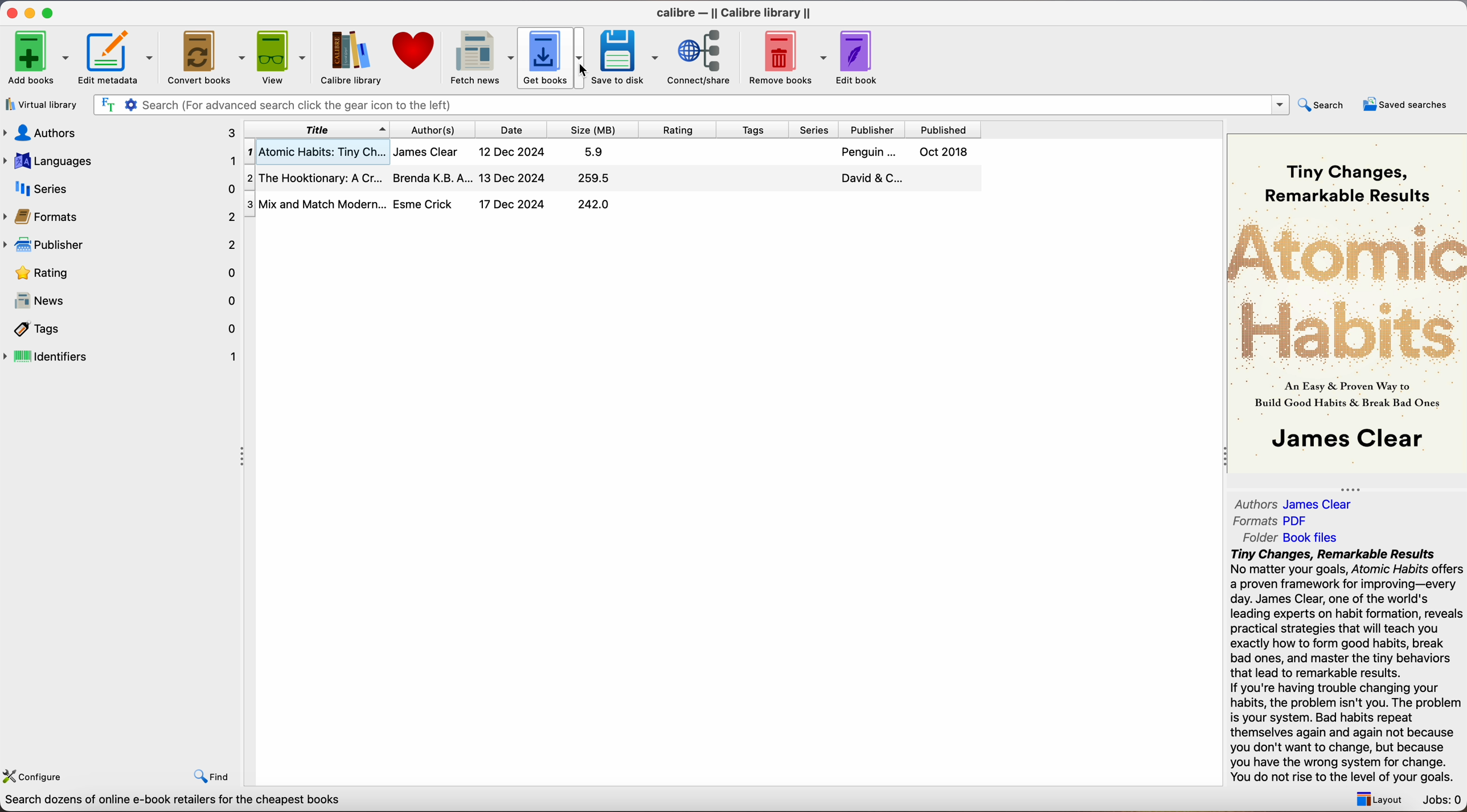 The width and height of the screenshot is (1467, 812). Describe the element at coordinates (123, 244) in the screenshot. I see `publisher` at that location.